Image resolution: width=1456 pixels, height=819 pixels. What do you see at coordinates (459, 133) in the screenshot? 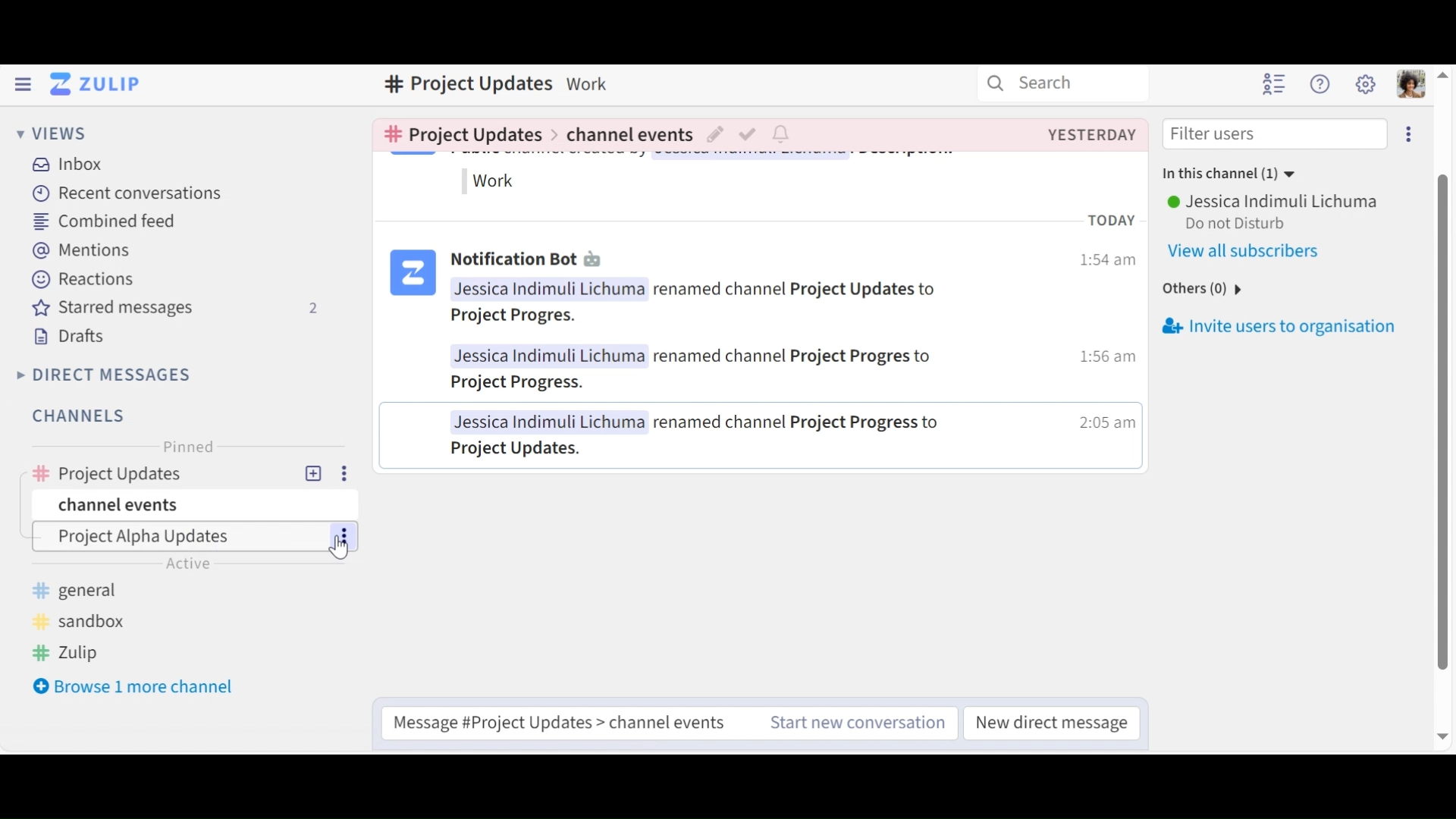
I see `Go to channel` at bounding box center [459, 133].